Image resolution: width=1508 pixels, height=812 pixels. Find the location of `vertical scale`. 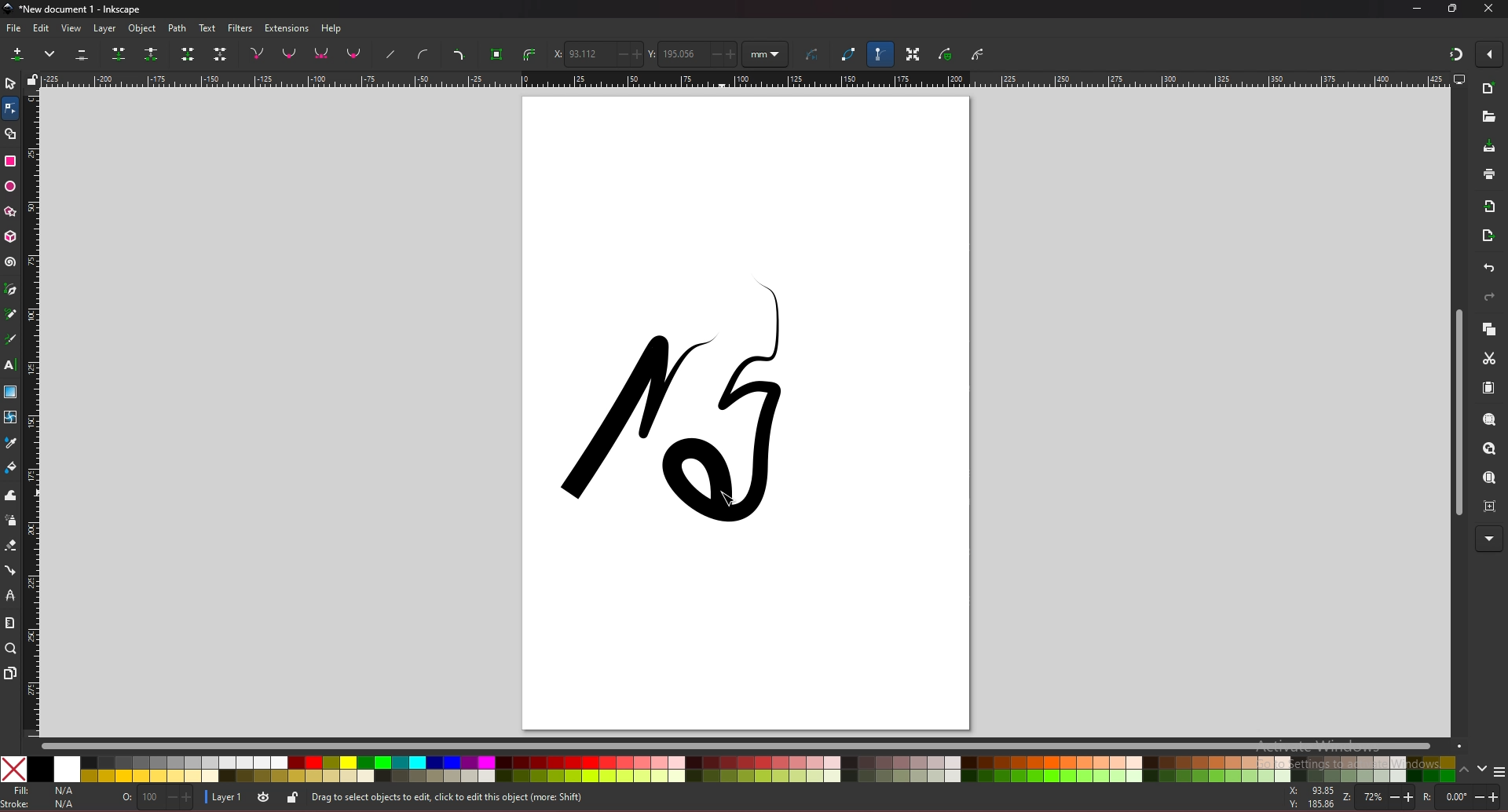

vertical scale is located at coordinates (33, 411).